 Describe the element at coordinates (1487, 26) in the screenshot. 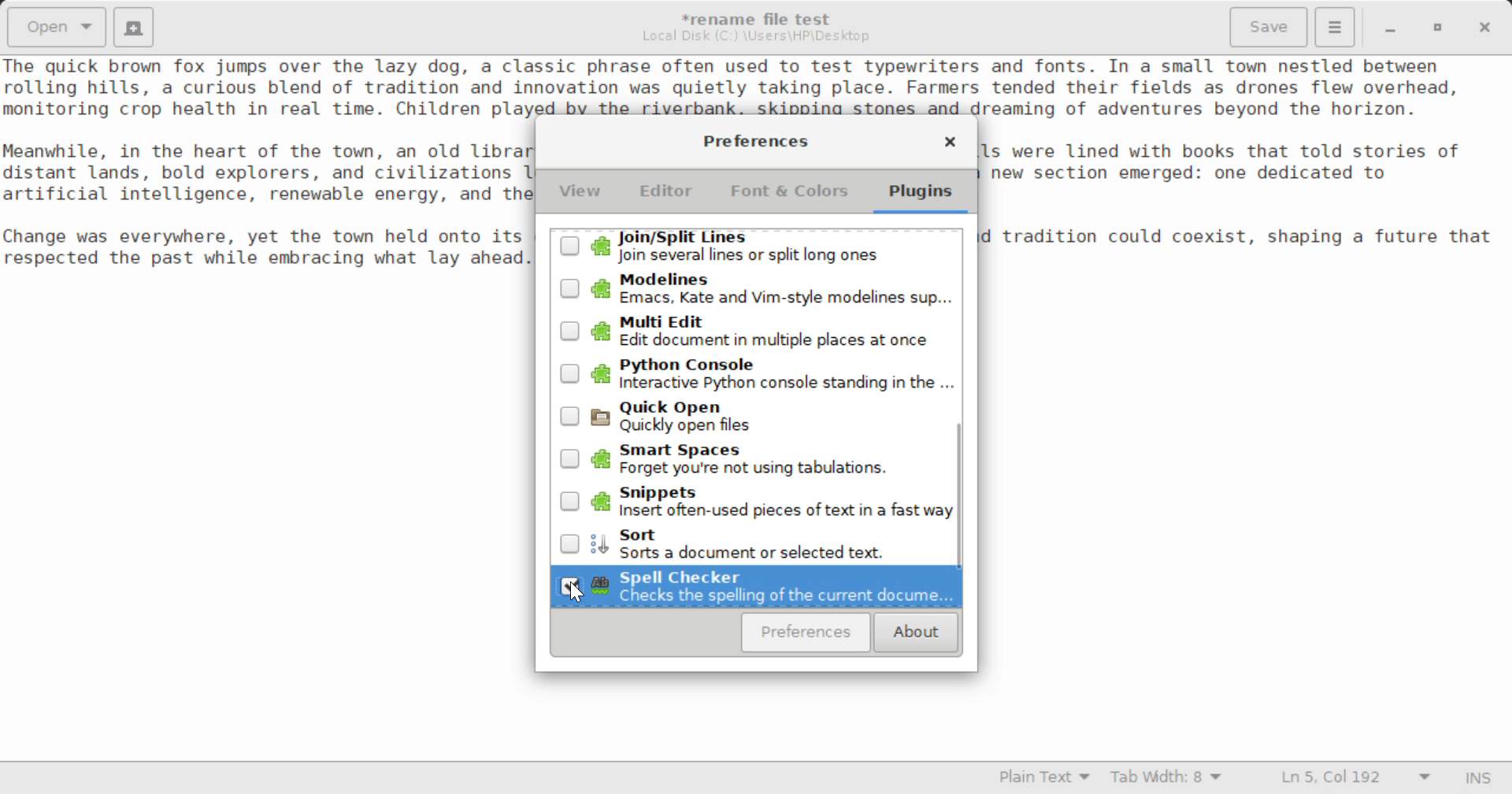

I see `Close Window` at that location.